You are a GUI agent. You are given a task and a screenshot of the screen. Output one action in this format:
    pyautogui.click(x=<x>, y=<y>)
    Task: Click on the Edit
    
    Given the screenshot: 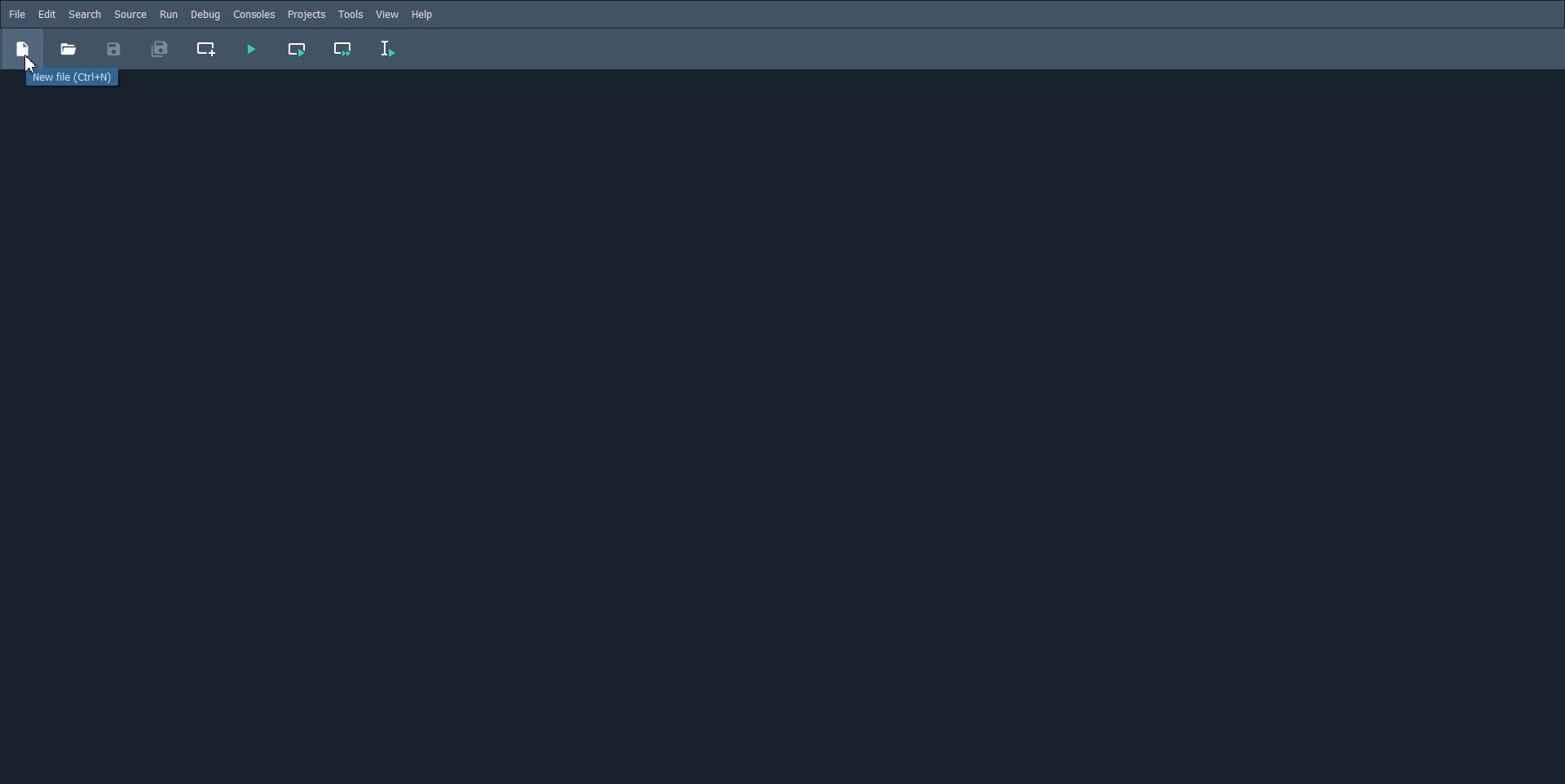 What is the action you would take?
    pyautogui.click(x=46, y=15)
    